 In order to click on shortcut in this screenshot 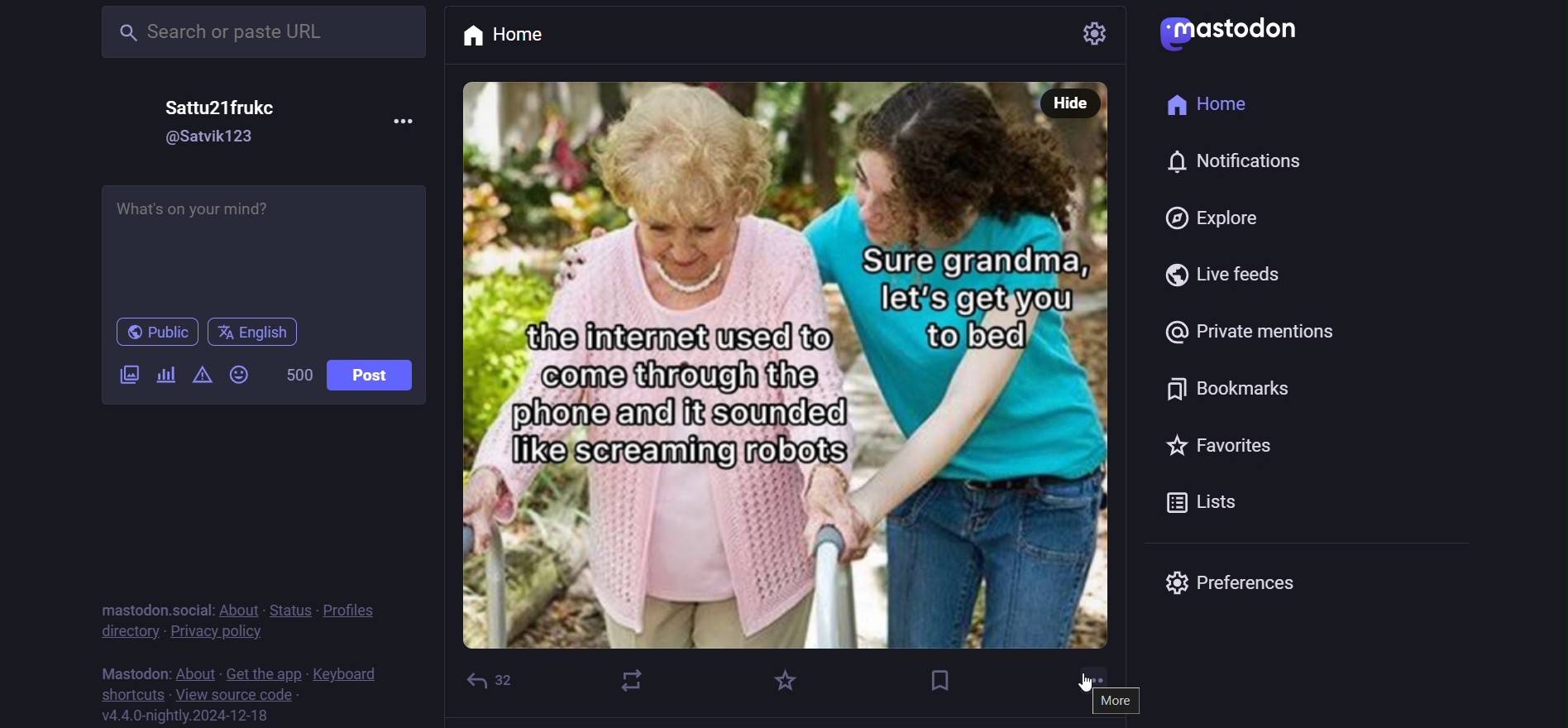, I will do `click(128, 694)`.